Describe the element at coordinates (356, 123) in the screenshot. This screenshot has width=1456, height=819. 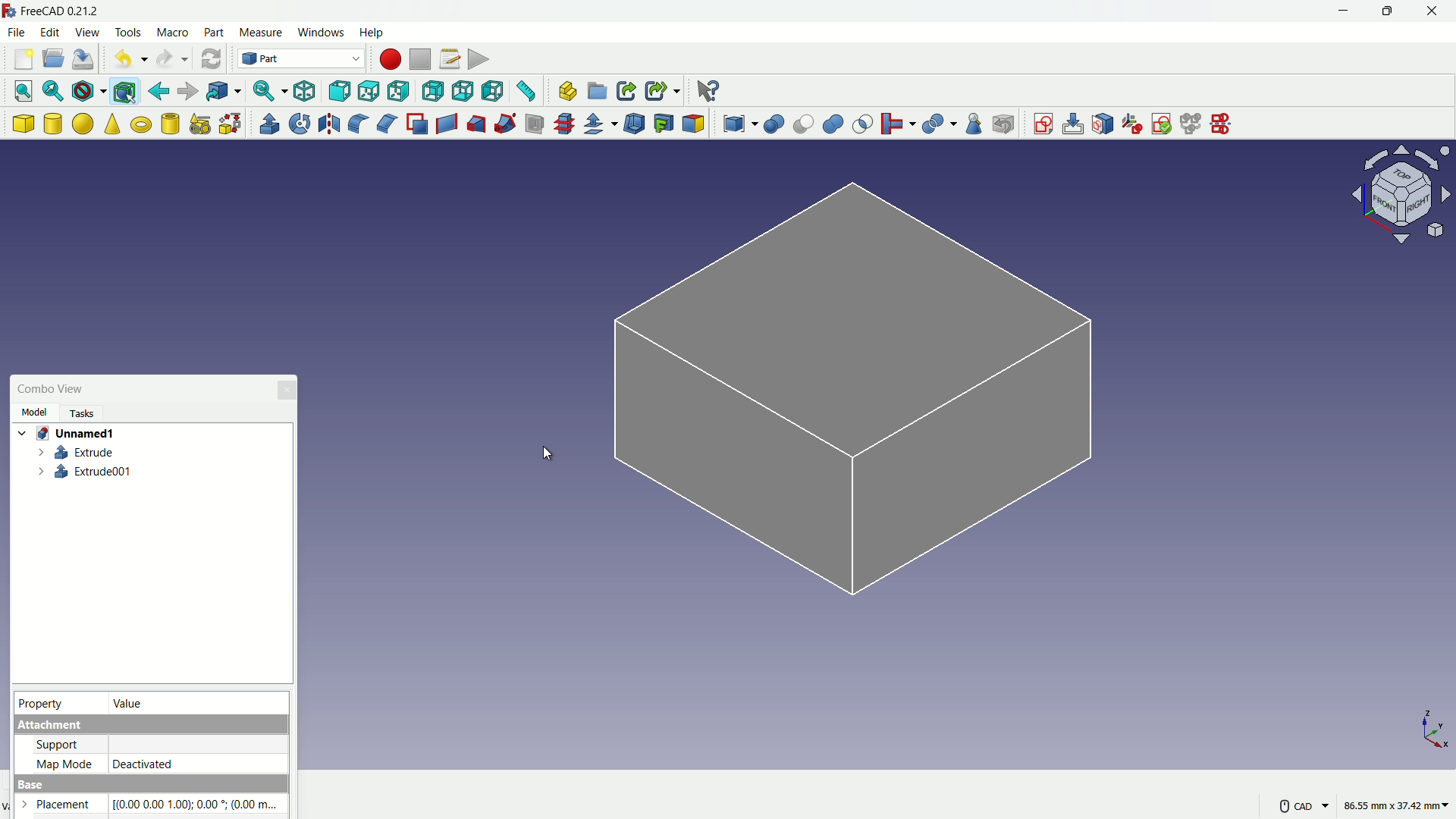
I see `fillet` at that location.